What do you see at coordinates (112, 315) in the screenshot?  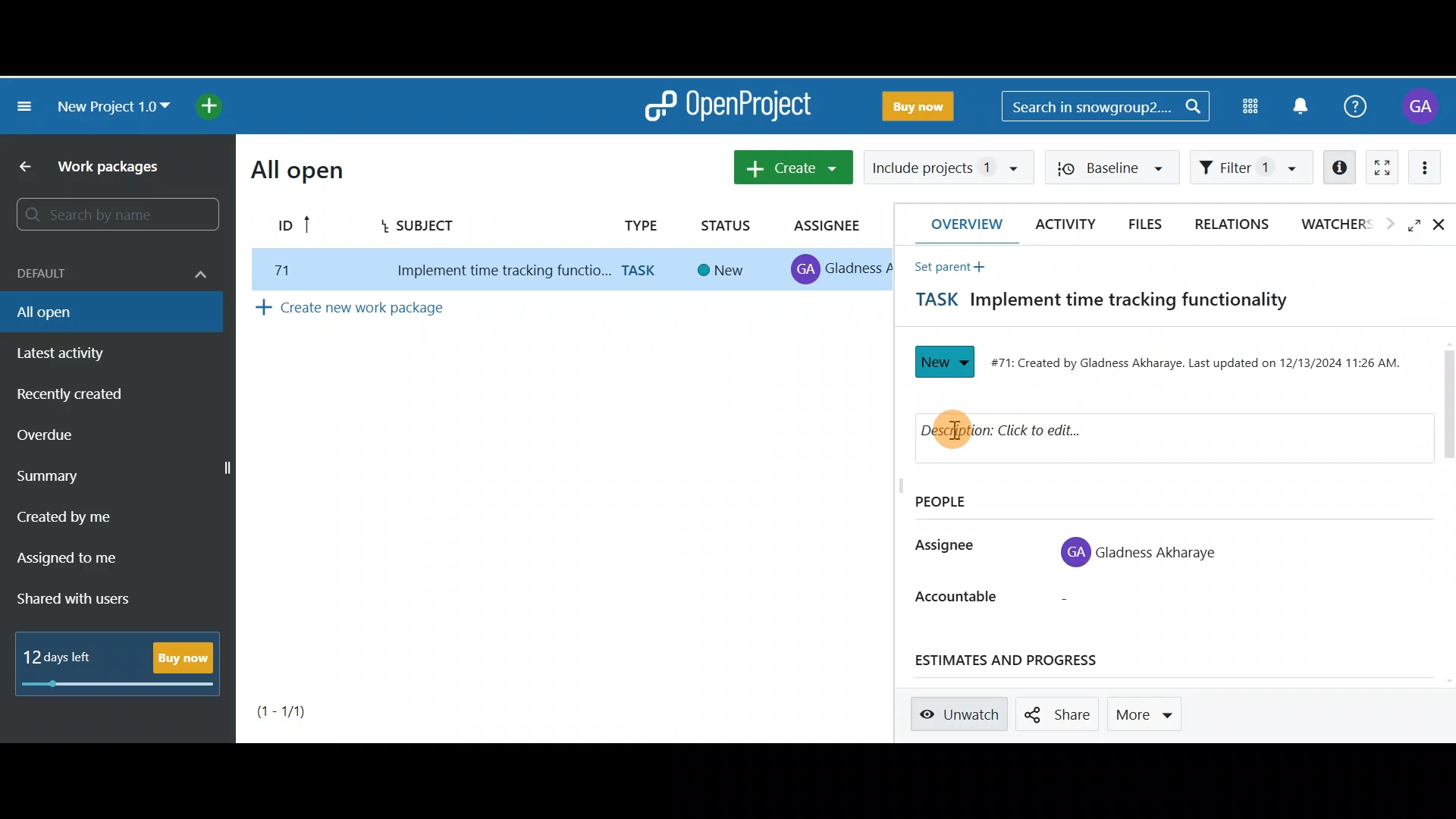 I see `All open` at bounding box center [112, 315].